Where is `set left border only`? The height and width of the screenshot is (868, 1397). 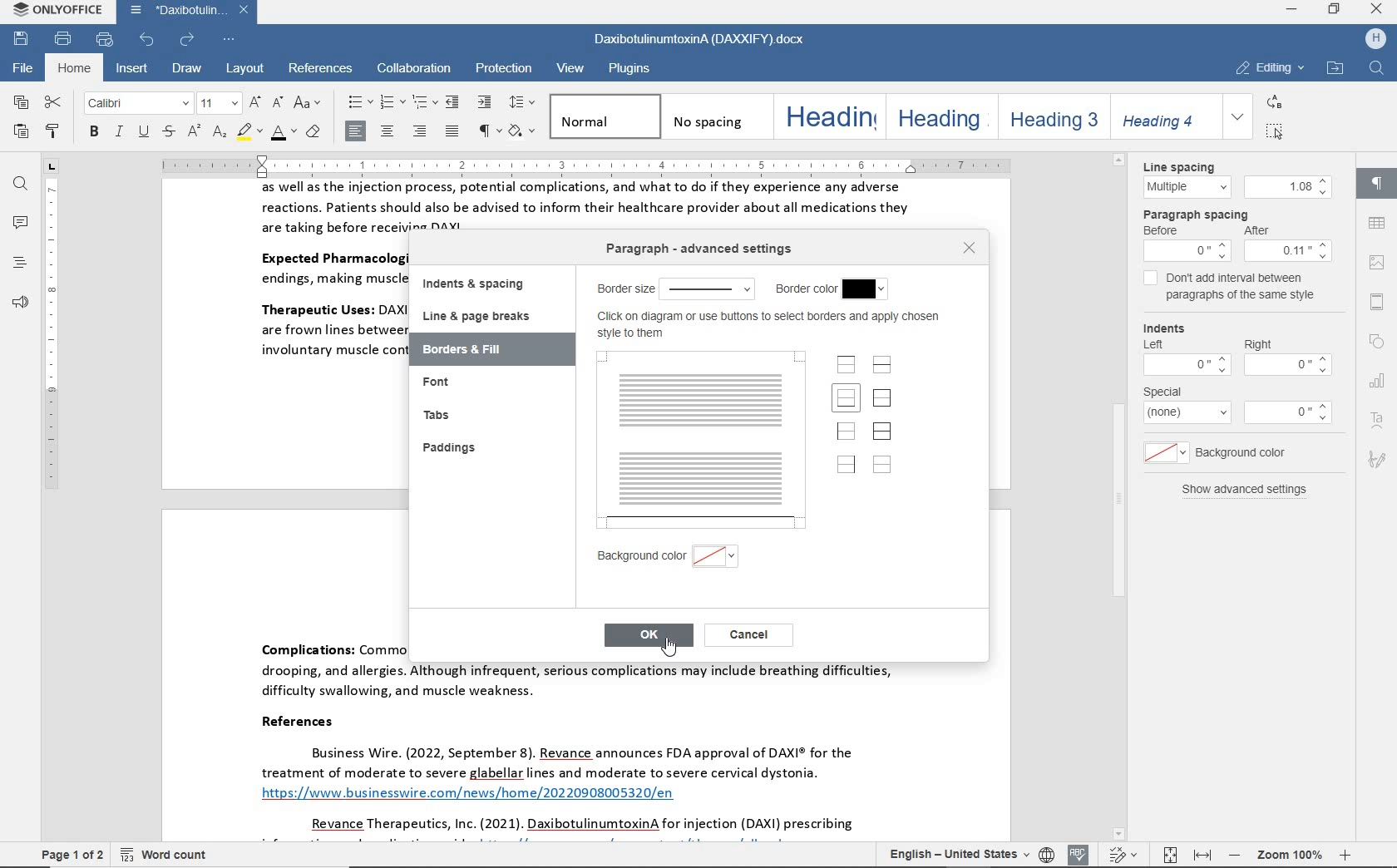 set left border only is located at coordinates (846, 428).